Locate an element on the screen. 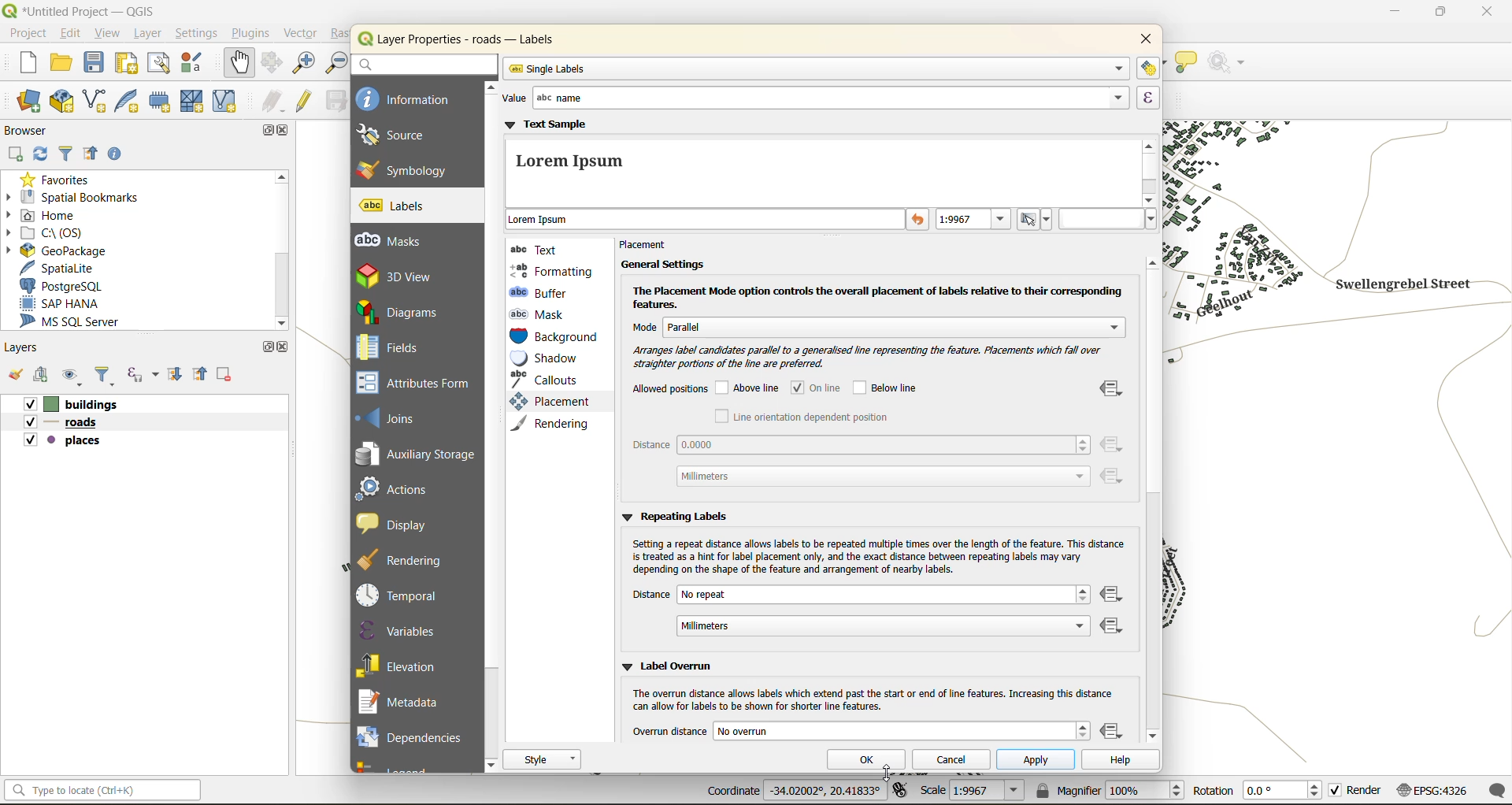 The image size is (1512, 805). favorites is located at coordinates (59, 181).